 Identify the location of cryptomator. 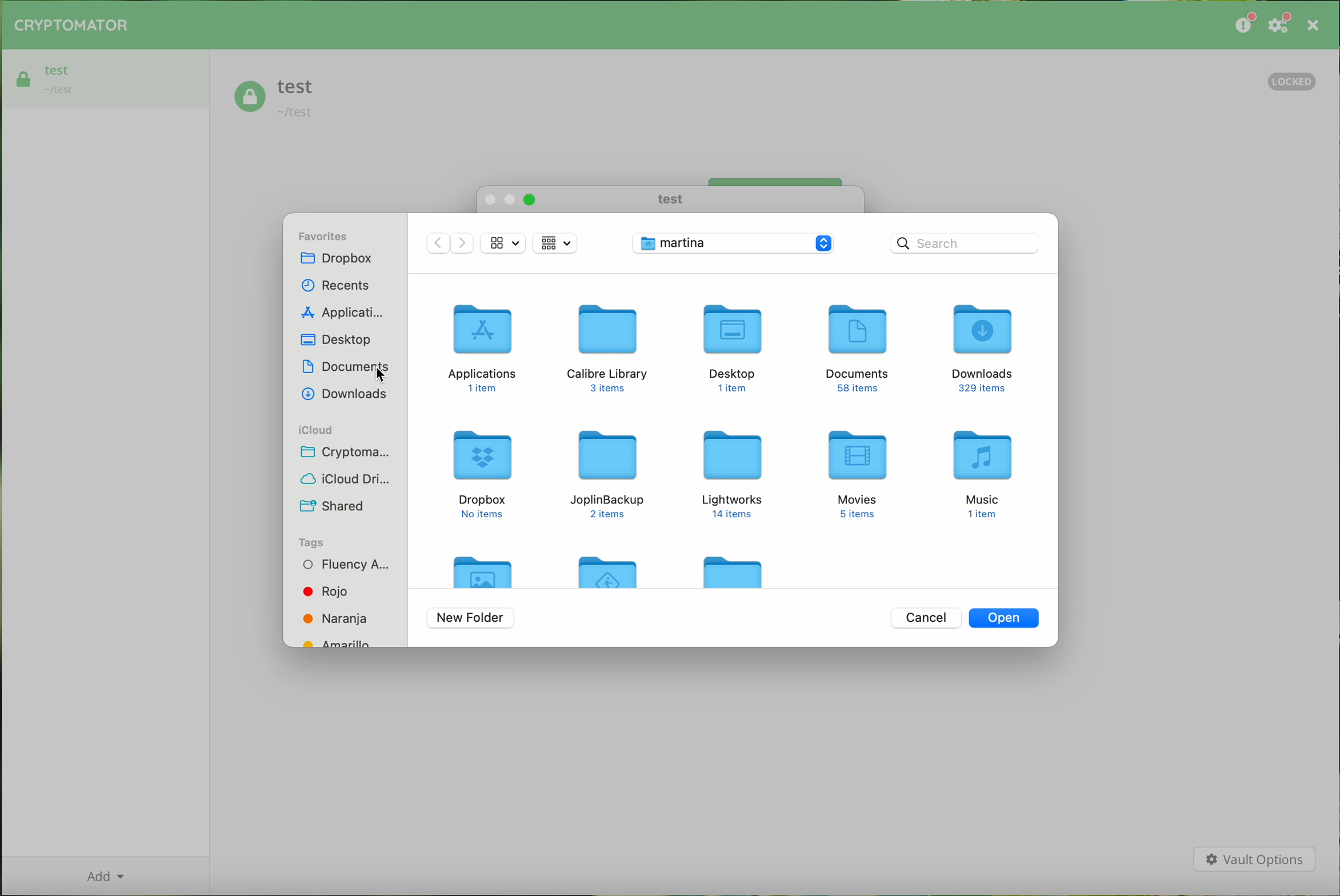
(72, 26).